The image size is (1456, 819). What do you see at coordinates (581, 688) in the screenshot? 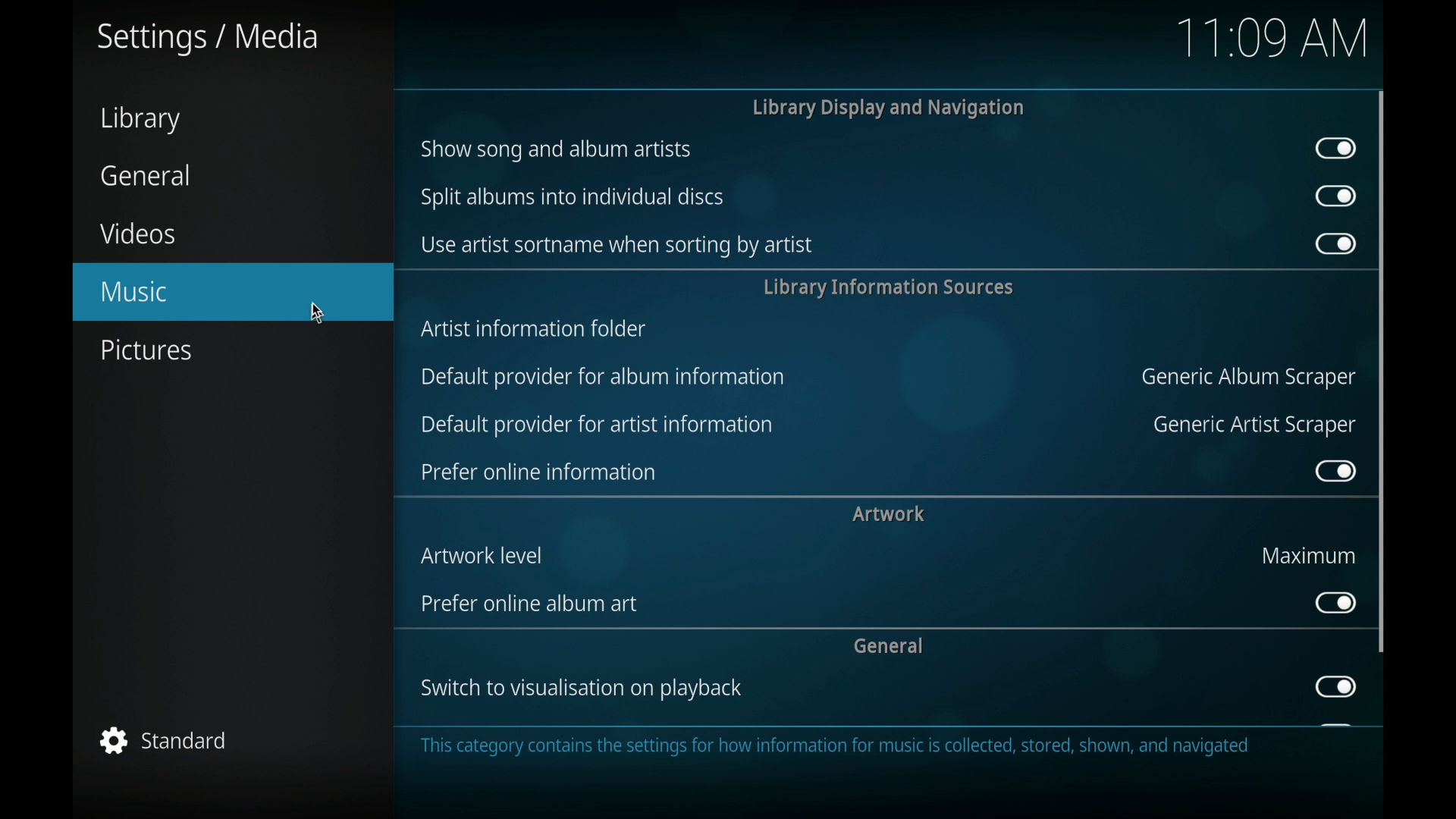
I see `switch to visualization on playback` at bounding box center [581, 688].